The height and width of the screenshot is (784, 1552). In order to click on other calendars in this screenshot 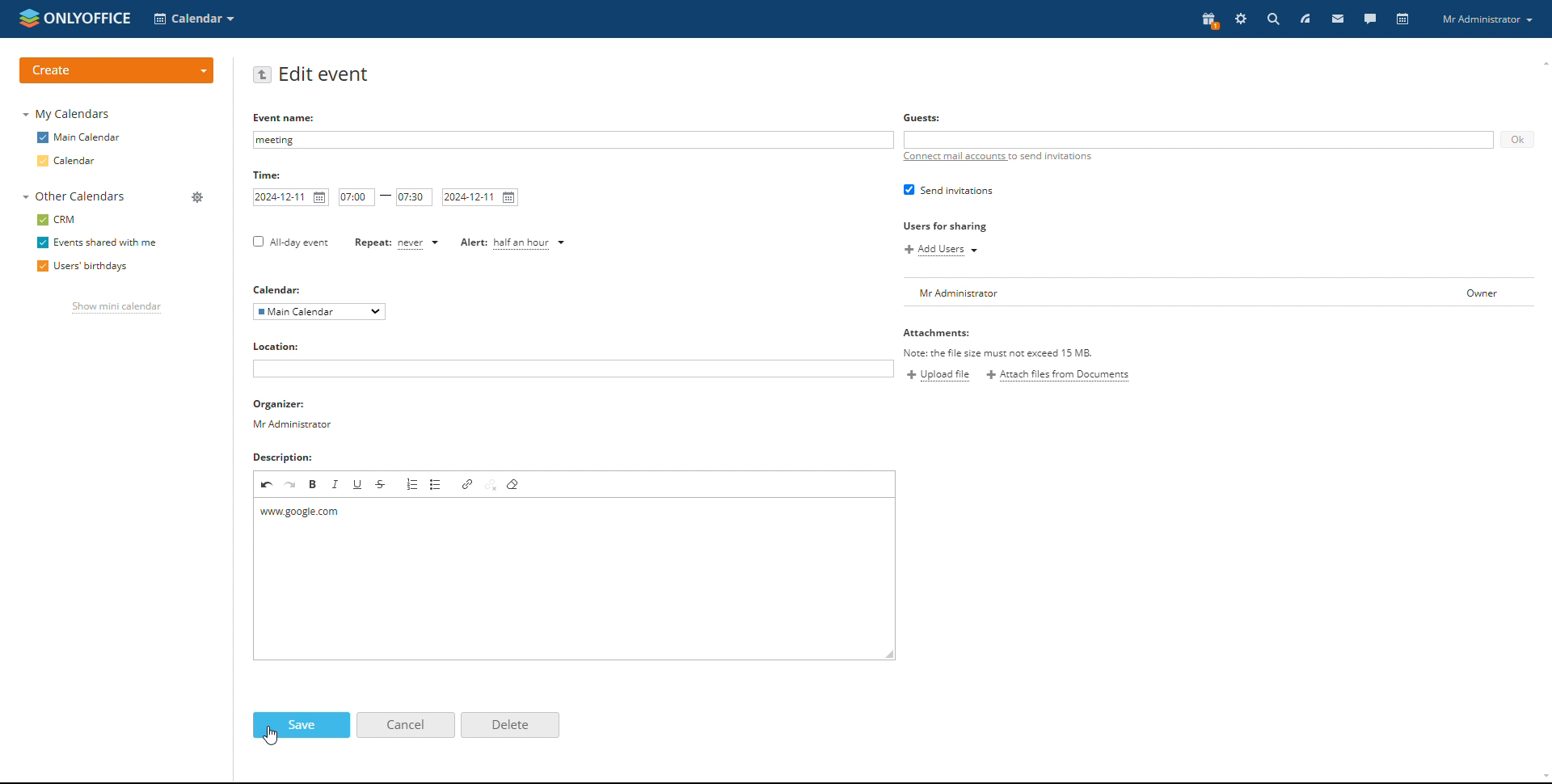, I will do `click(74, 196)`.